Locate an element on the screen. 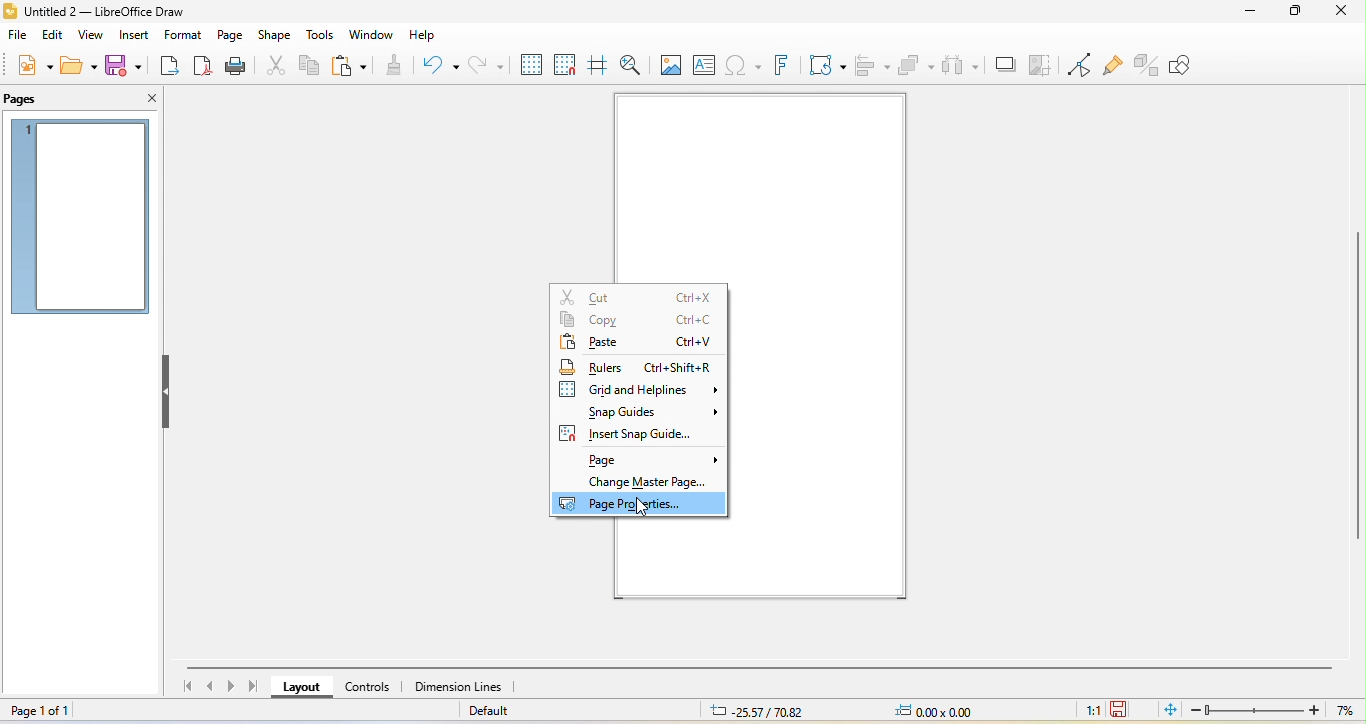 Image resolution: width=1366 pixels, height=724 pixels. file is located at coordinates (17, 37).